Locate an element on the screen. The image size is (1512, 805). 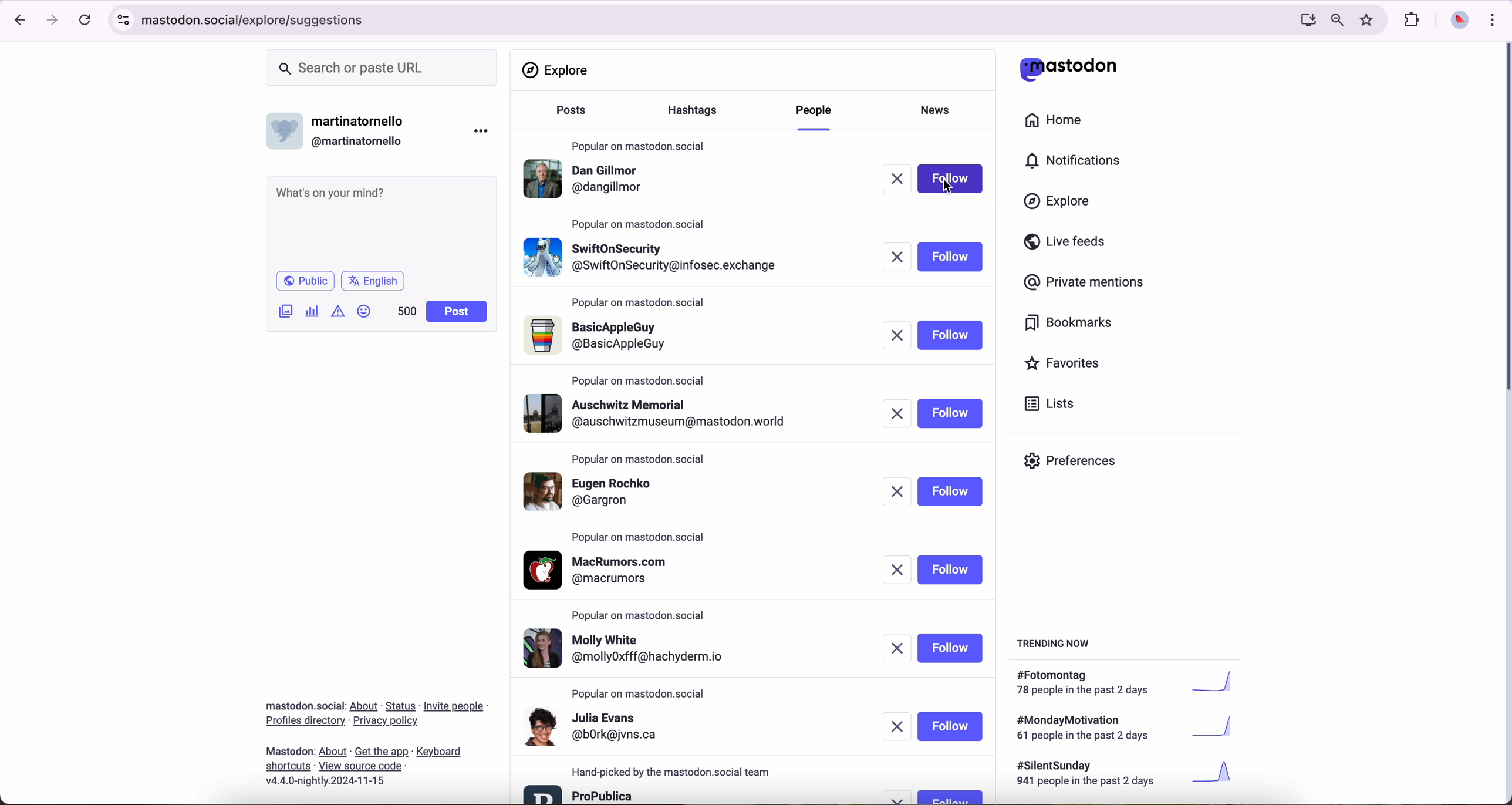
navigate foward is located at coordinates (53, 21).